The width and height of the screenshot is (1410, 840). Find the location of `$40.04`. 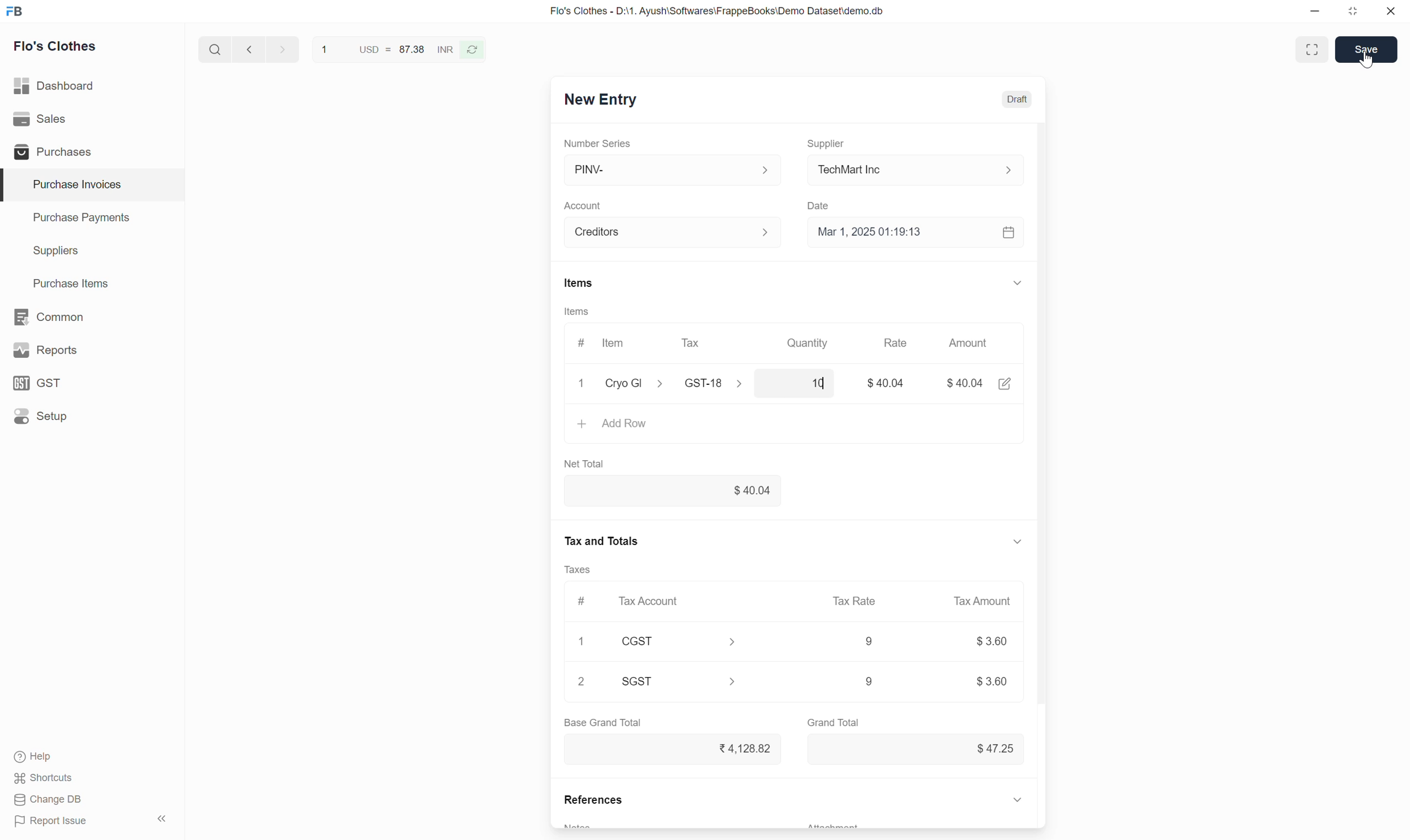

$40.04 is located at coordinates (967, 382).